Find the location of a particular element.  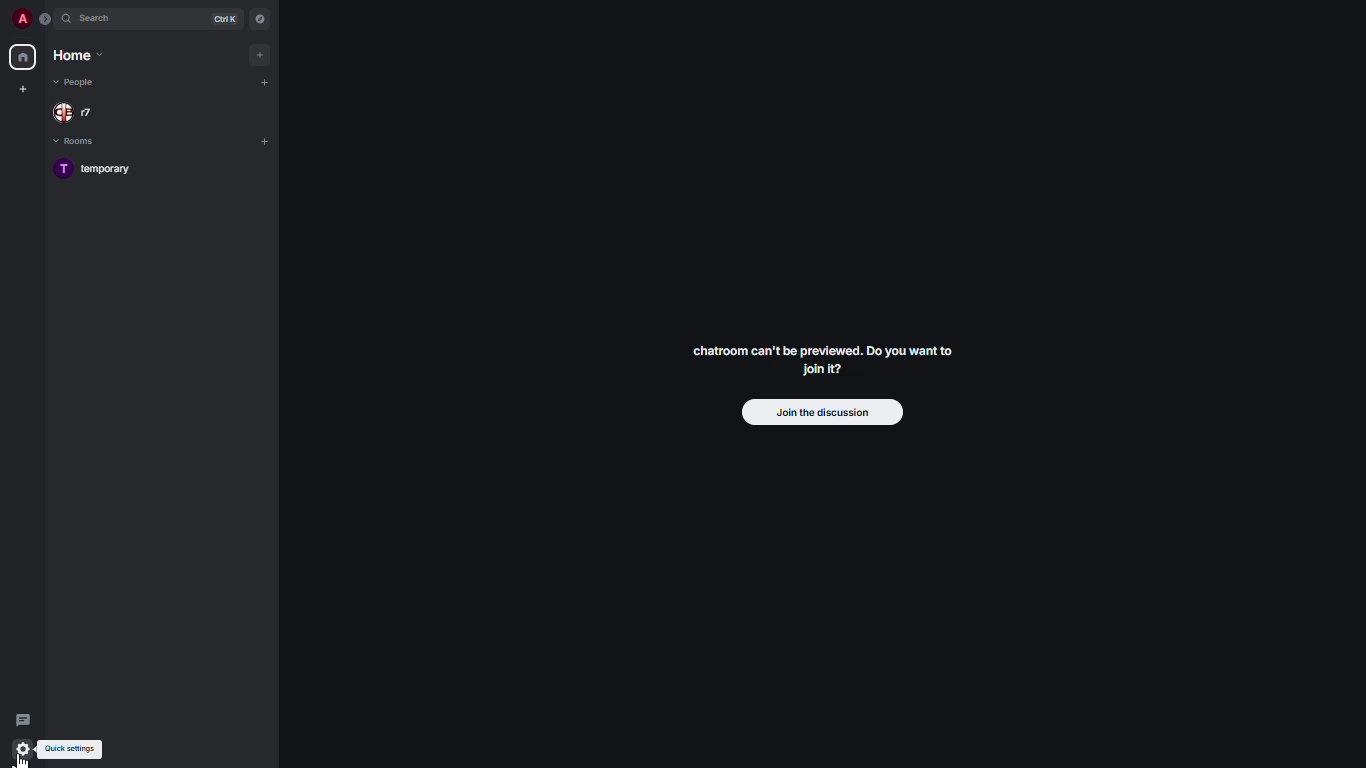

home is located at coordinates (77, 57).